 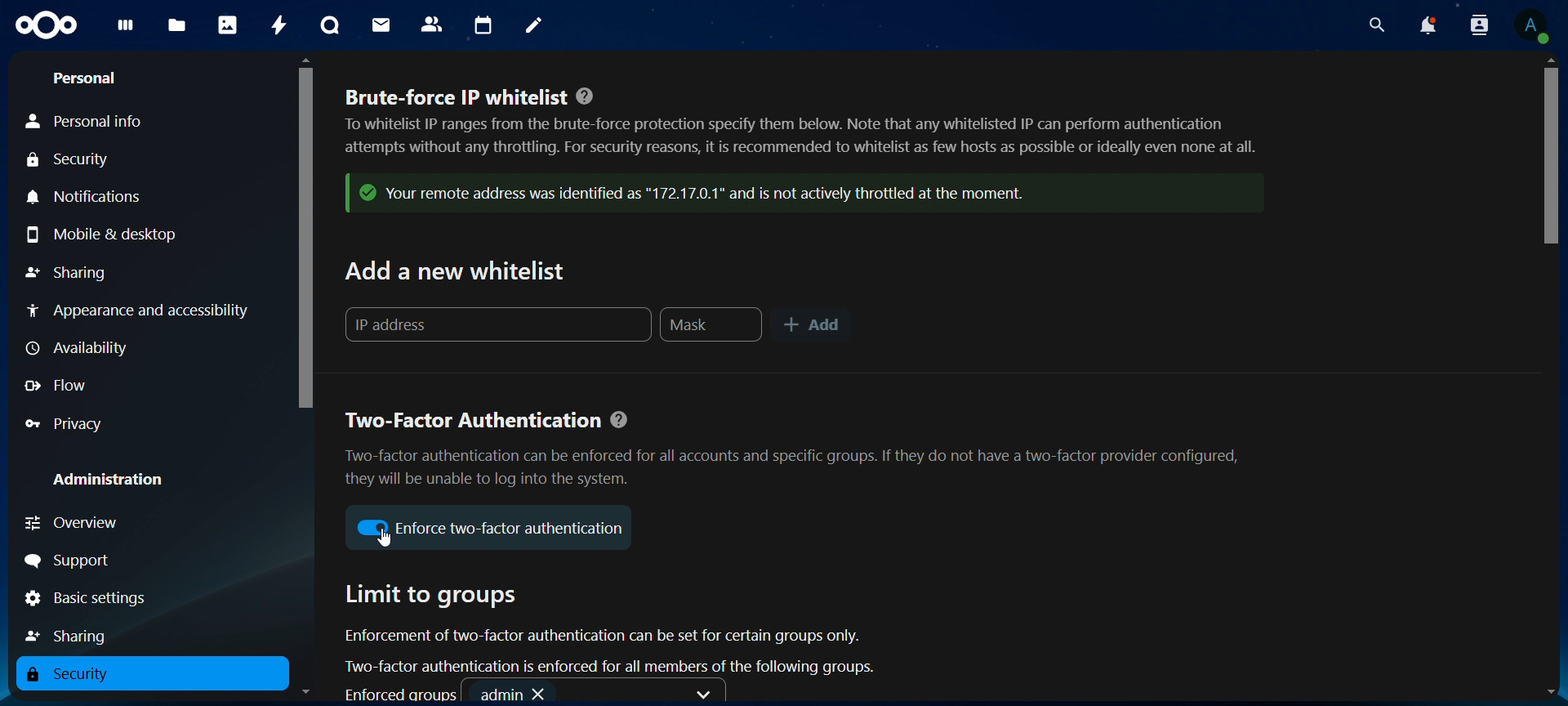 I want to click on notes, so click(x=533, y=25).